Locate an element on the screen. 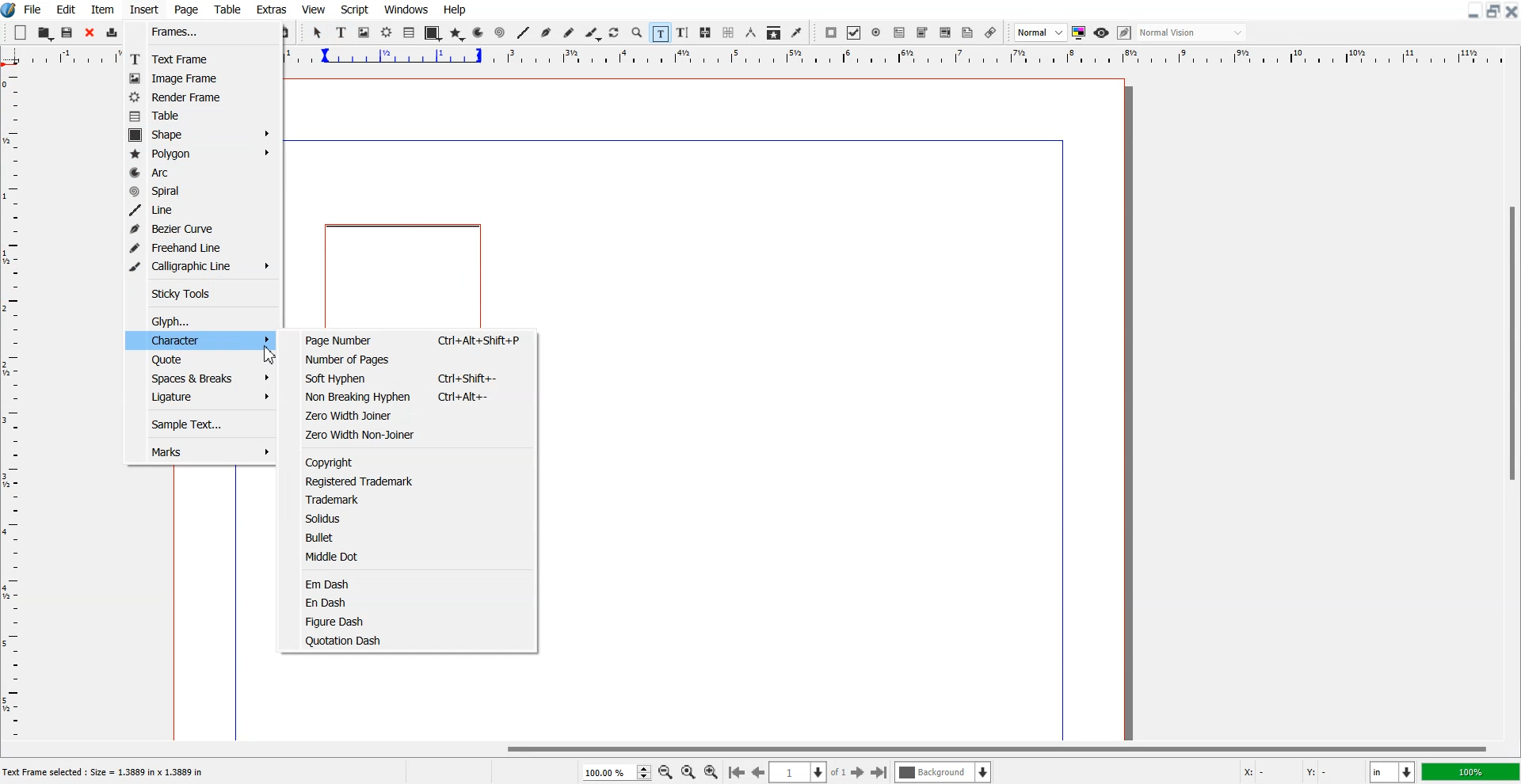 This screenshot has height=784, width=1521. Eye dropper is located at coordinates (796, 32).